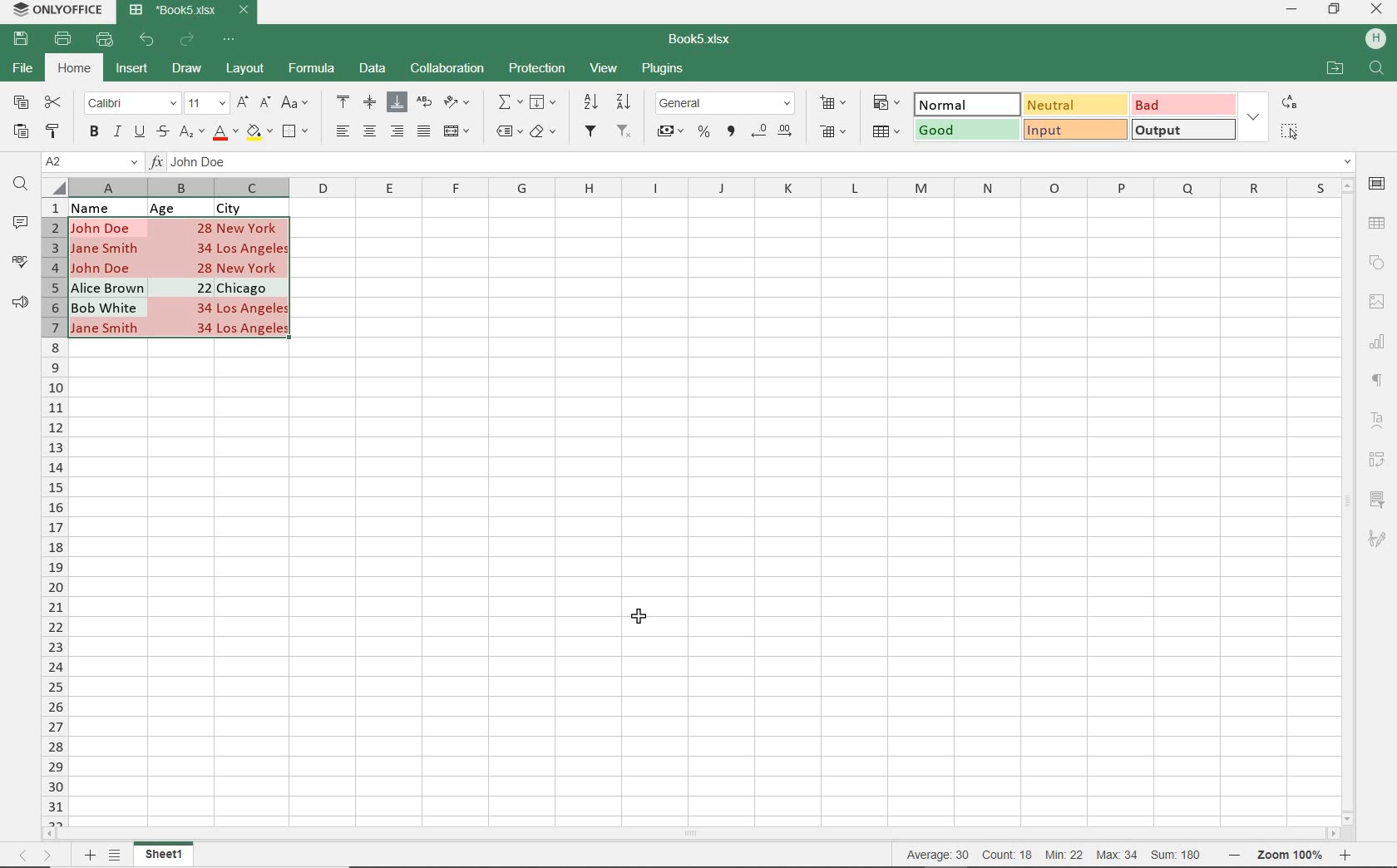  What do you see at coordinates (192, 206) in the screenshot?
I see `DATA` at bounding box center [192, 206].